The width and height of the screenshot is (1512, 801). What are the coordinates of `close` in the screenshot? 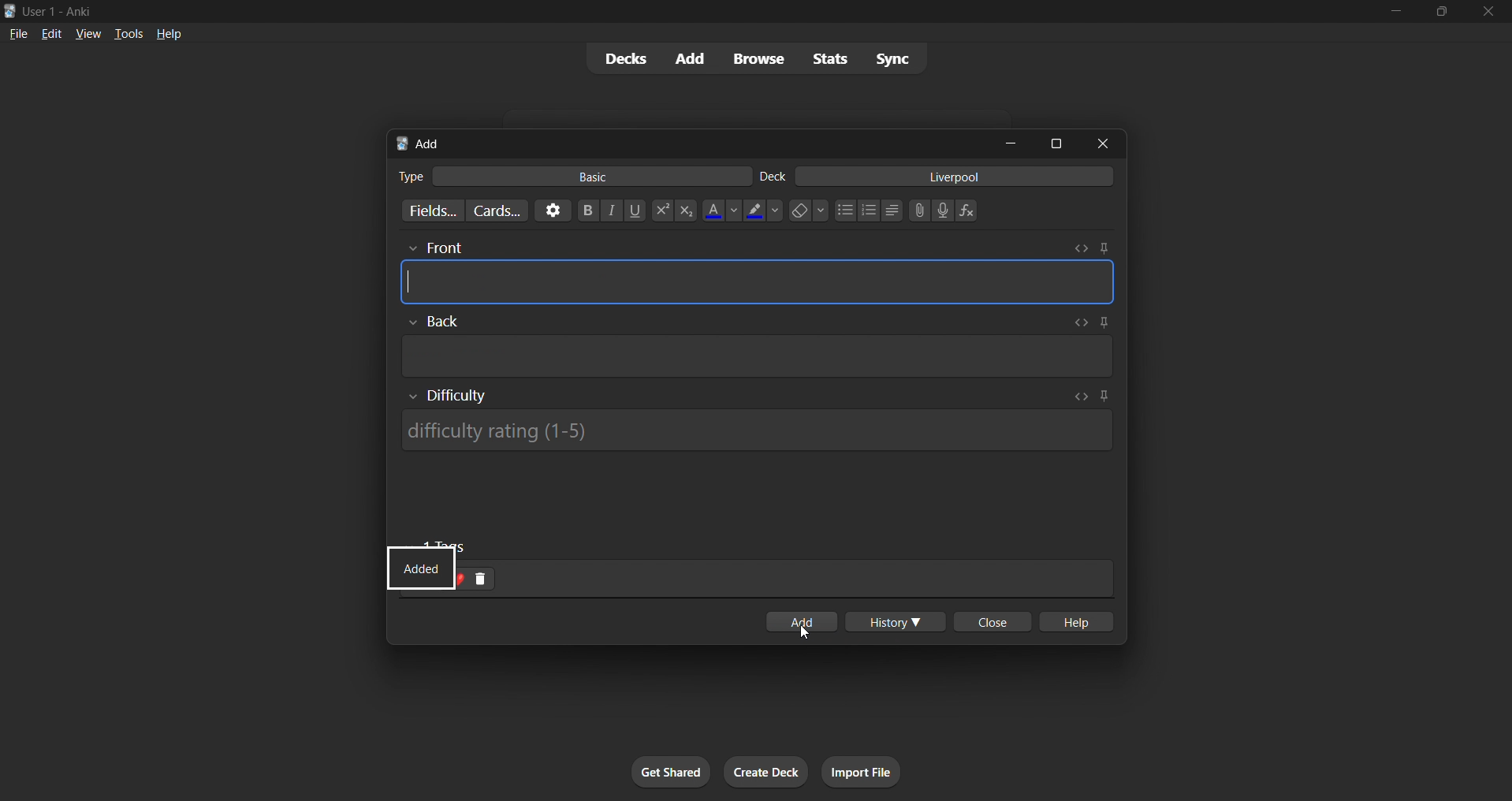 It's located at (1108, 143).